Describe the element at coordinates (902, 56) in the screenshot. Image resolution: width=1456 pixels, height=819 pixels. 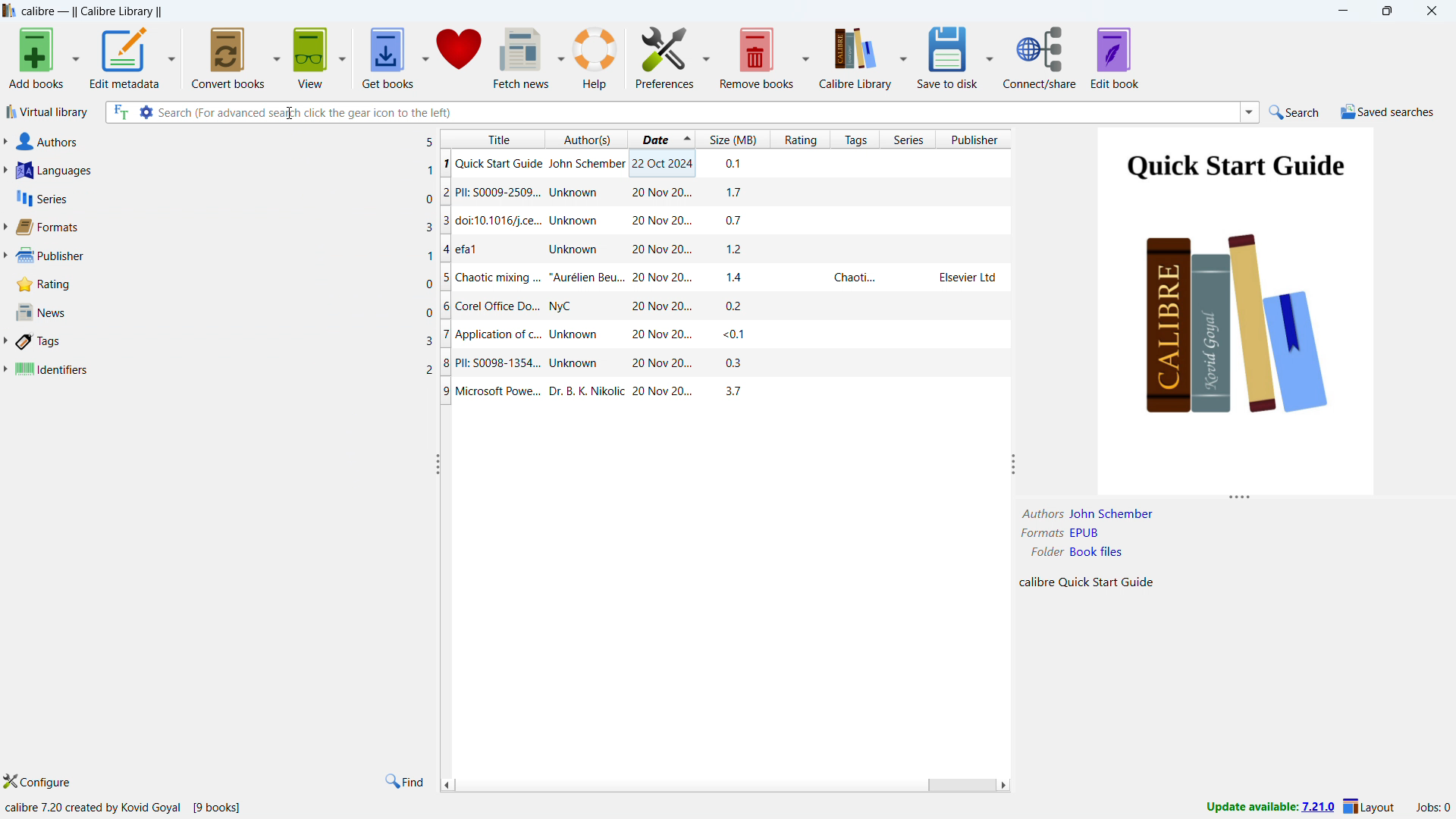
I see `calibre library options` at that location.